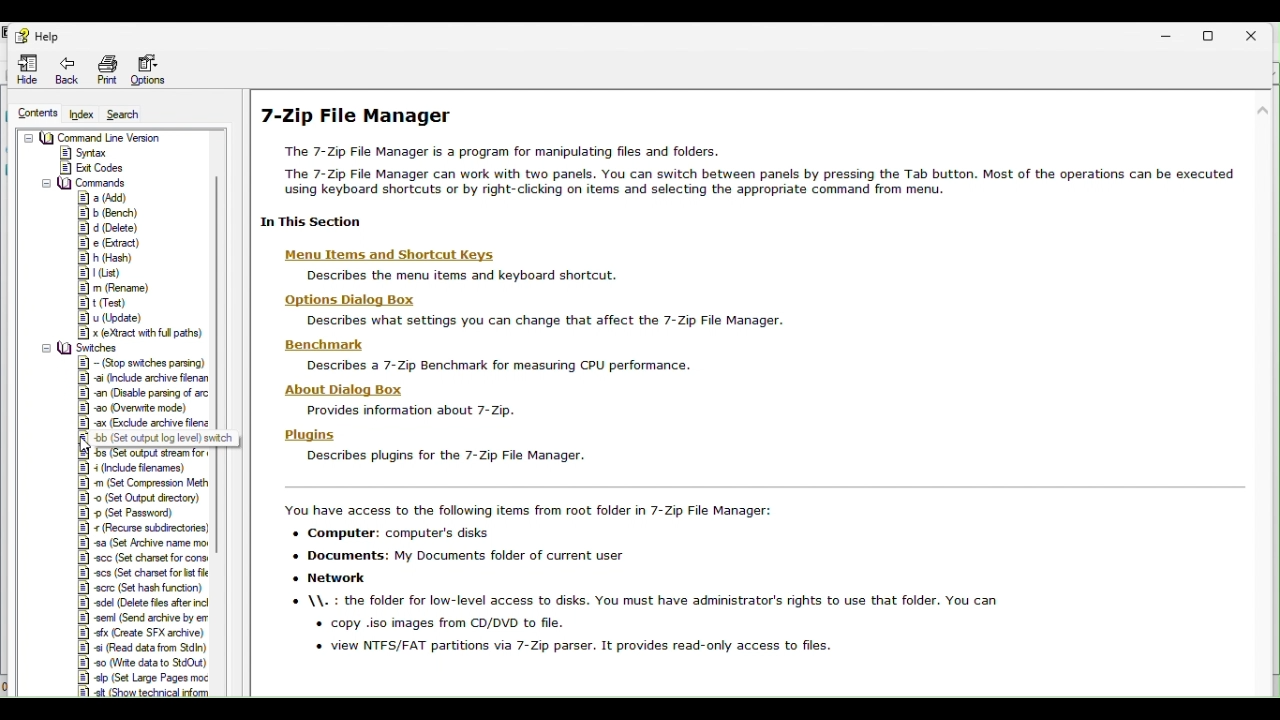  I want to click on Describes what settings you can change that affect the 7-Zip File Manager., so click(539, 321).